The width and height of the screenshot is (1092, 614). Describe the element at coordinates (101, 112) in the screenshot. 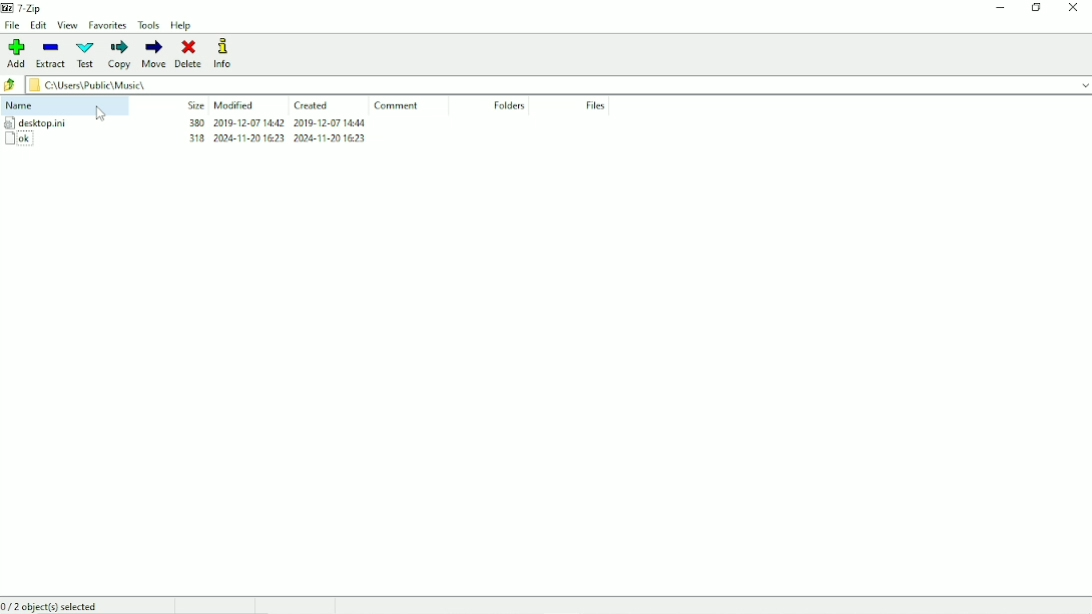

I see `cursor` at that location.